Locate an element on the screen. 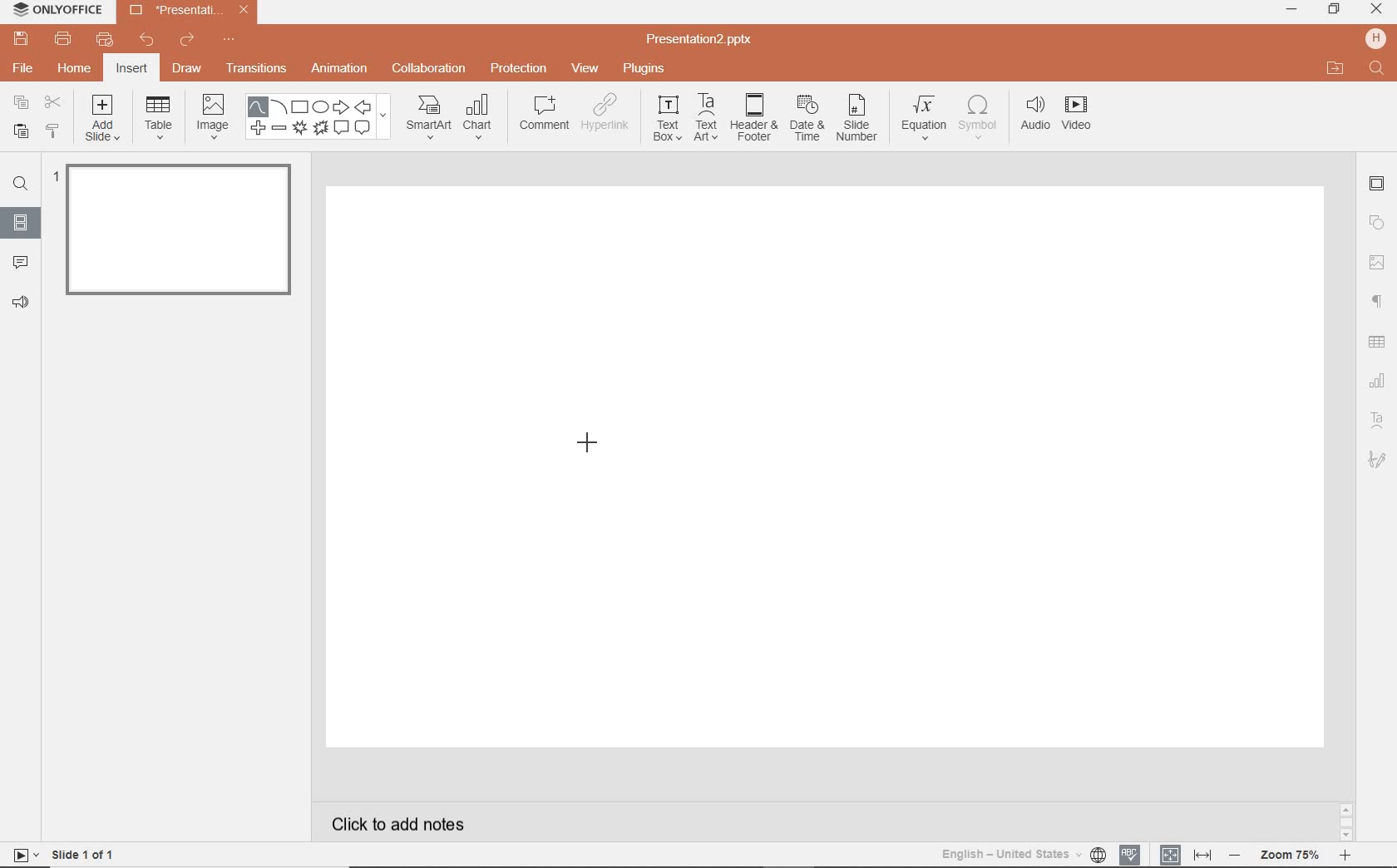  FIND is located at coordinates (1376, 69).